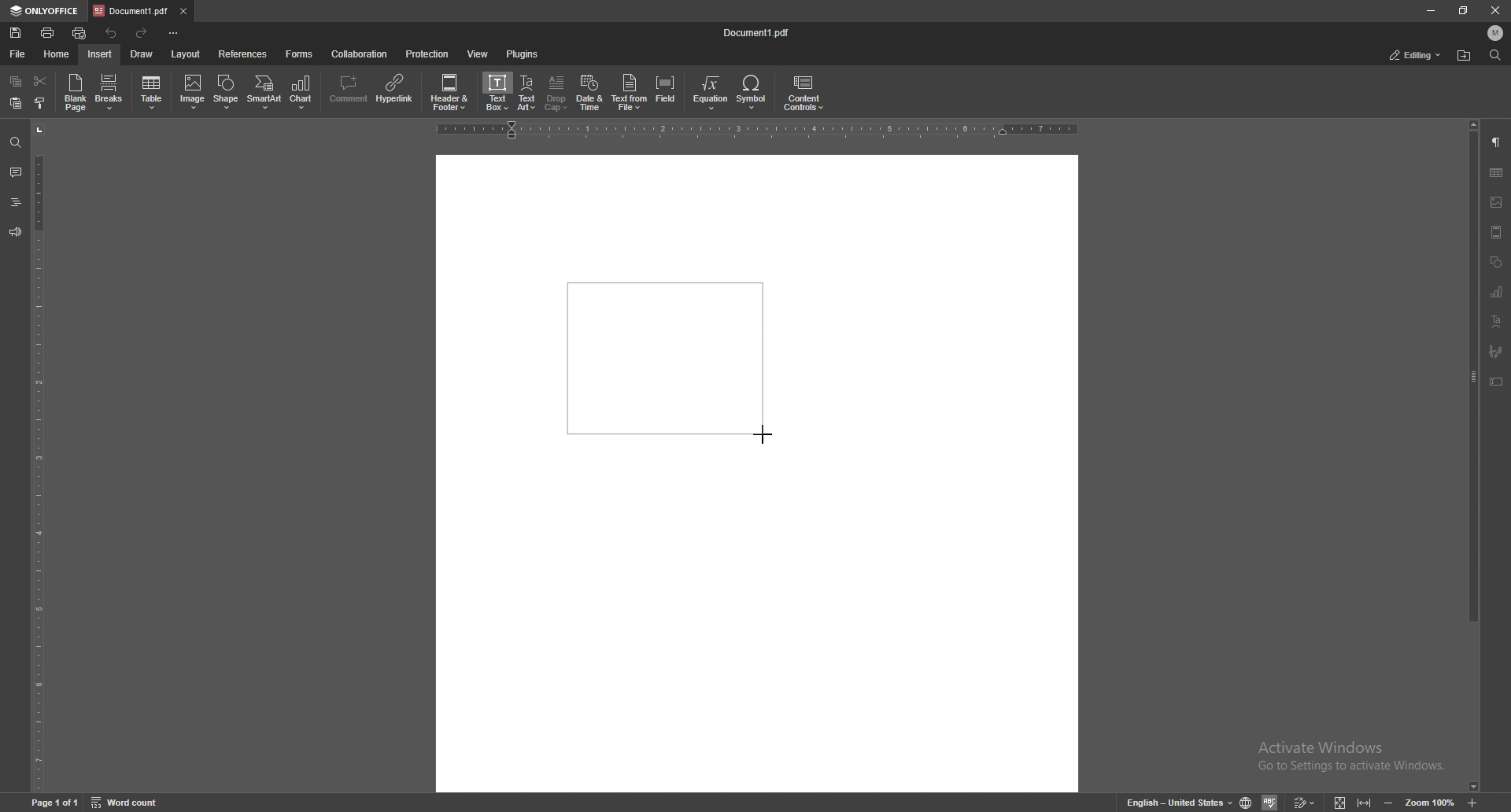 This screenshot has height=812, width=1511. I want to click on track changes, so click(1303, 803).